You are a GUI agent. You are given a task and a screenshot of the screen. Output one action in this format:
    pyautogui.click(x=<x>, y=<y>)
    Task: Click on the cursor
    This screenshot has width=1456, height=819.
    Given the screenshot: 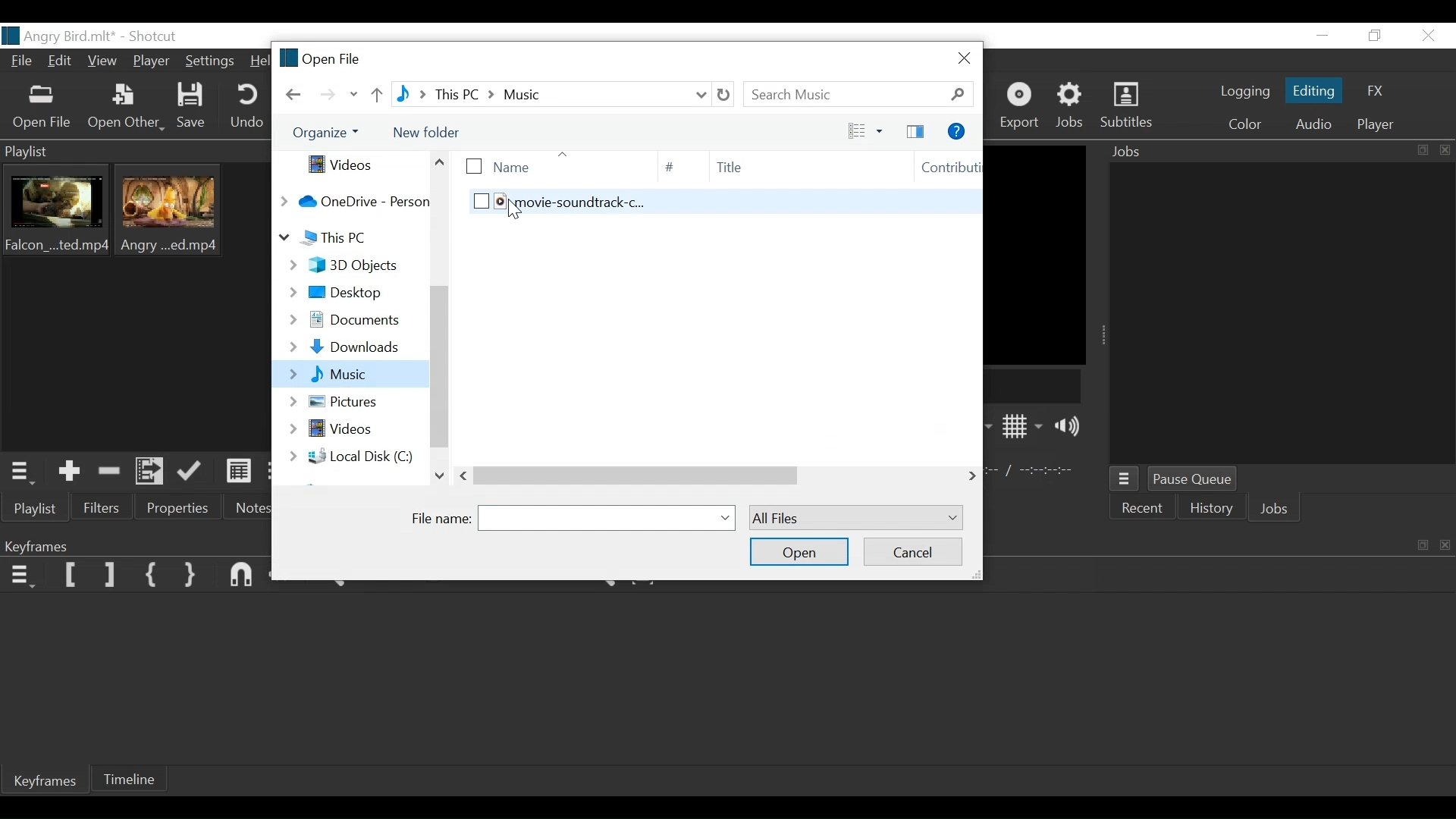 What is the action you would take?
    pyautogui.click(x=519, y=211)
    